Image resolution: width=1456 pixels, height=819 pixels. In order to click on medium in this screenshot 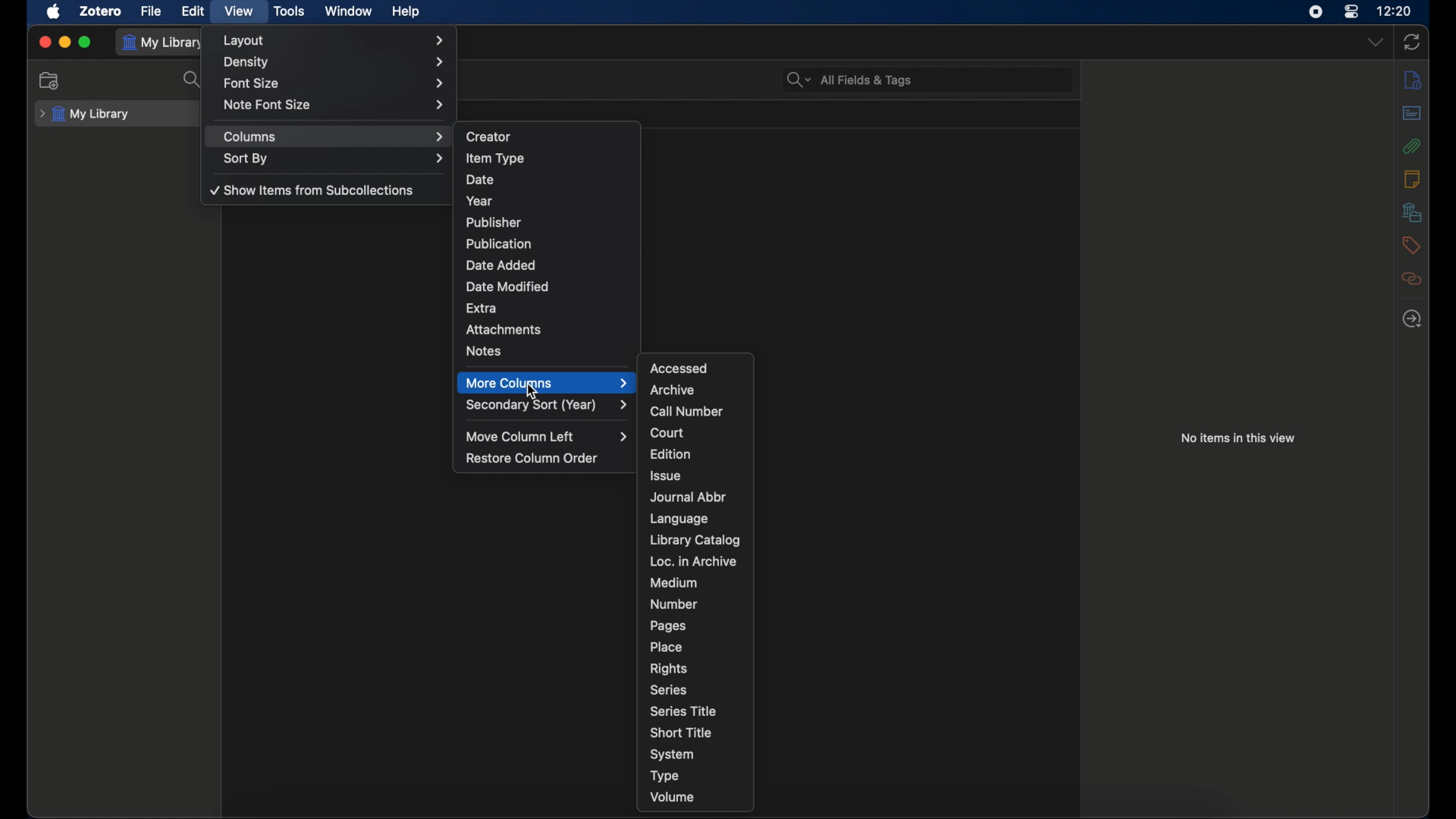, I will do `click(673, 583)`.